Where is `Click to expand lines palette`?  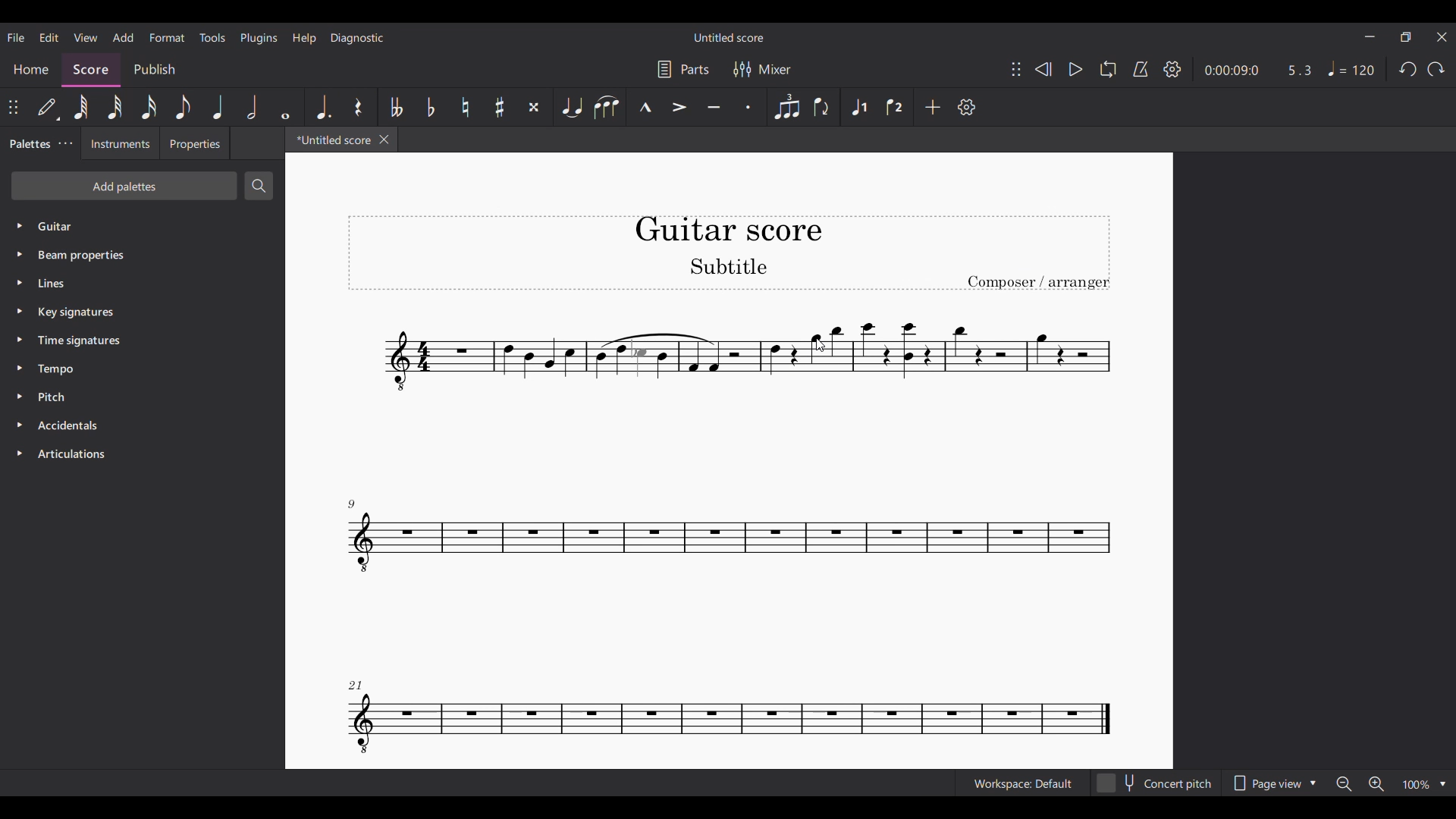 Click to expand lines palette is located at coordinates (20, 283).